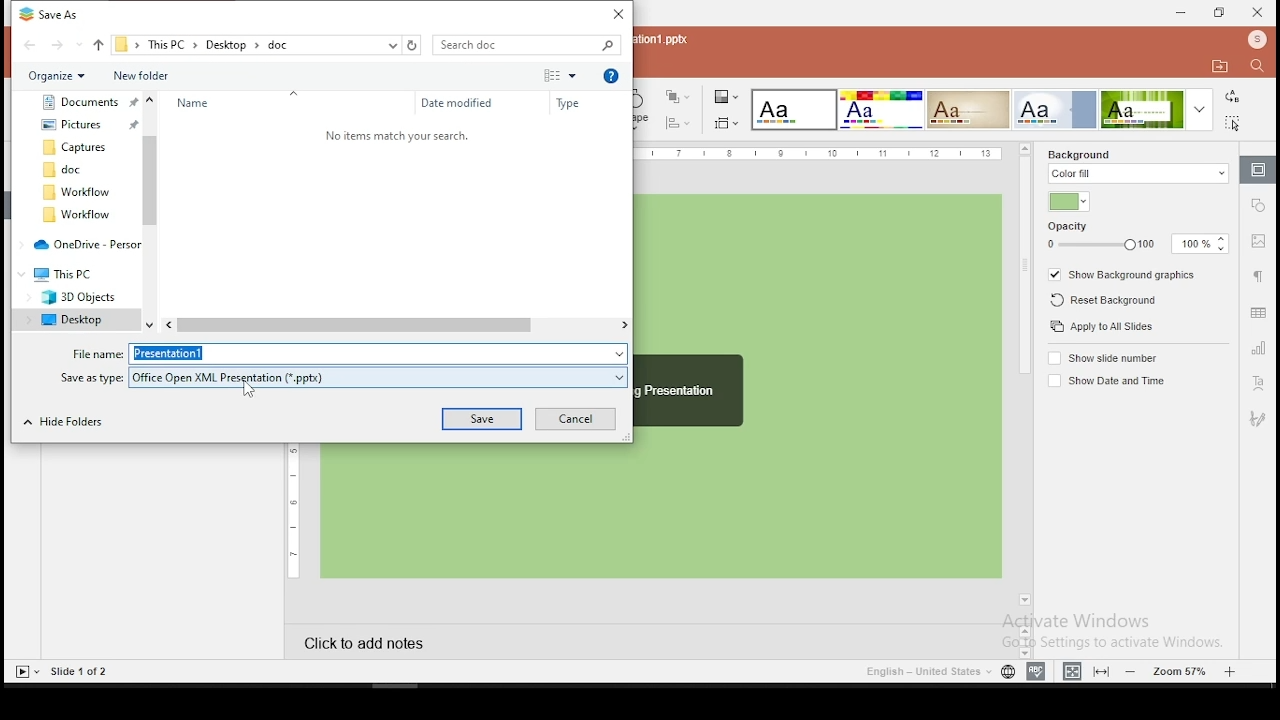 The width and height of the screenshot is (1280, 720). What do you see at coordinates (1220, 67) in the screenshot?
I see `open file location` at bounding box center [1220, 67].